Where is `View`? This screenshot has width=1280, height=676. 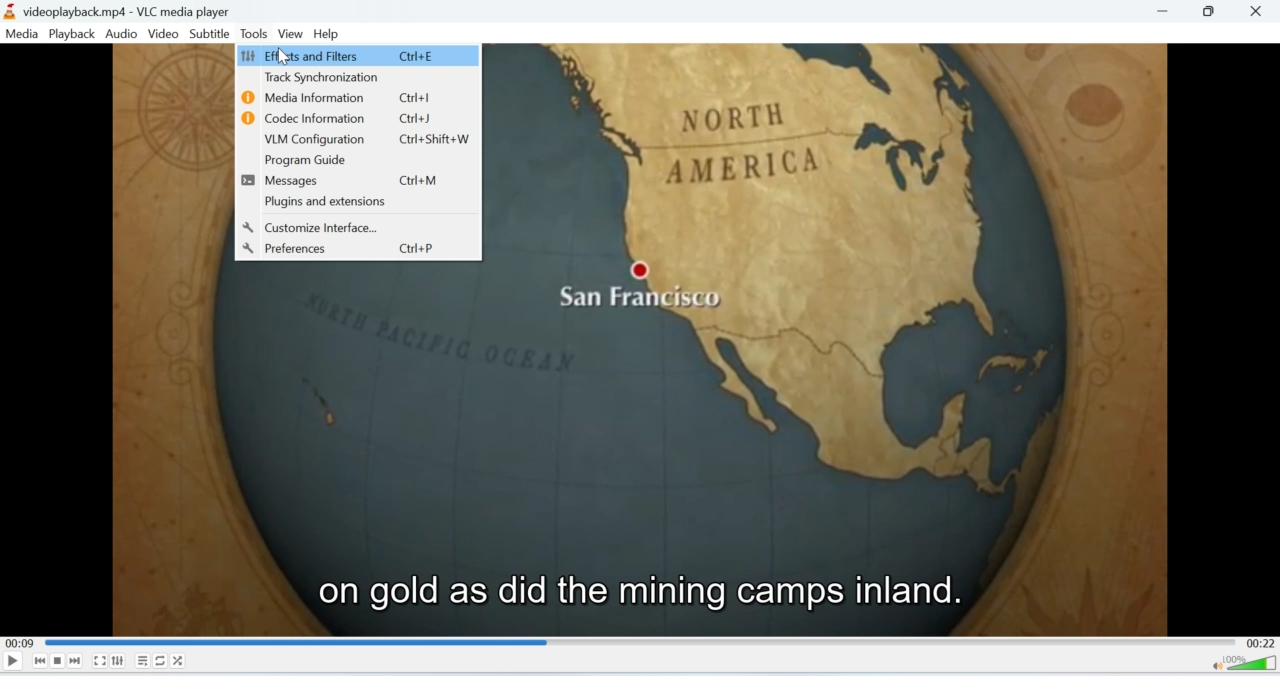
View is located at coordinates (292, 35).